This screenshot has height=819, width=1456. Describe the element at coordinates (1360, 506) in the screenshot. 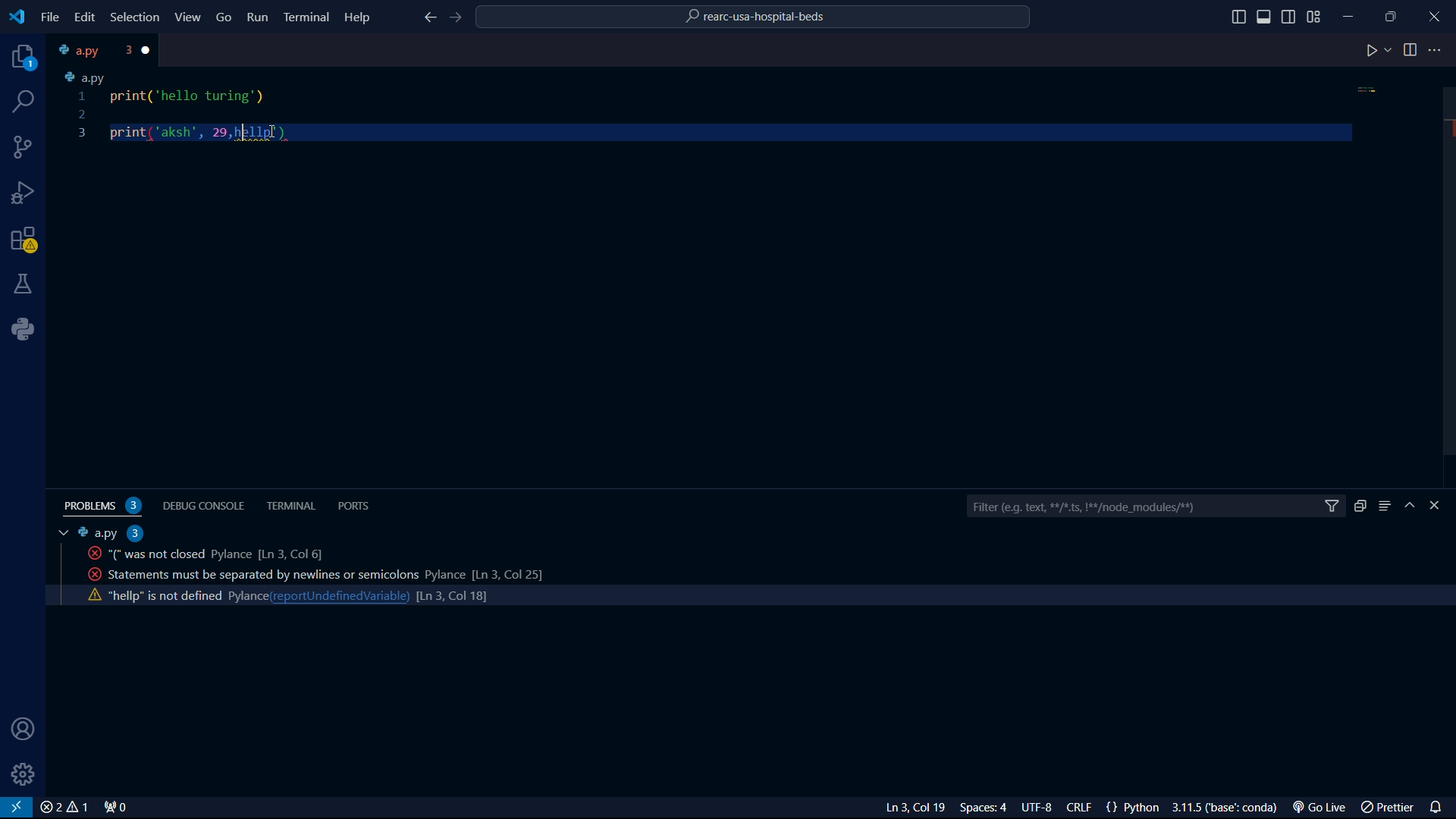

I see `duplicate` at that location.